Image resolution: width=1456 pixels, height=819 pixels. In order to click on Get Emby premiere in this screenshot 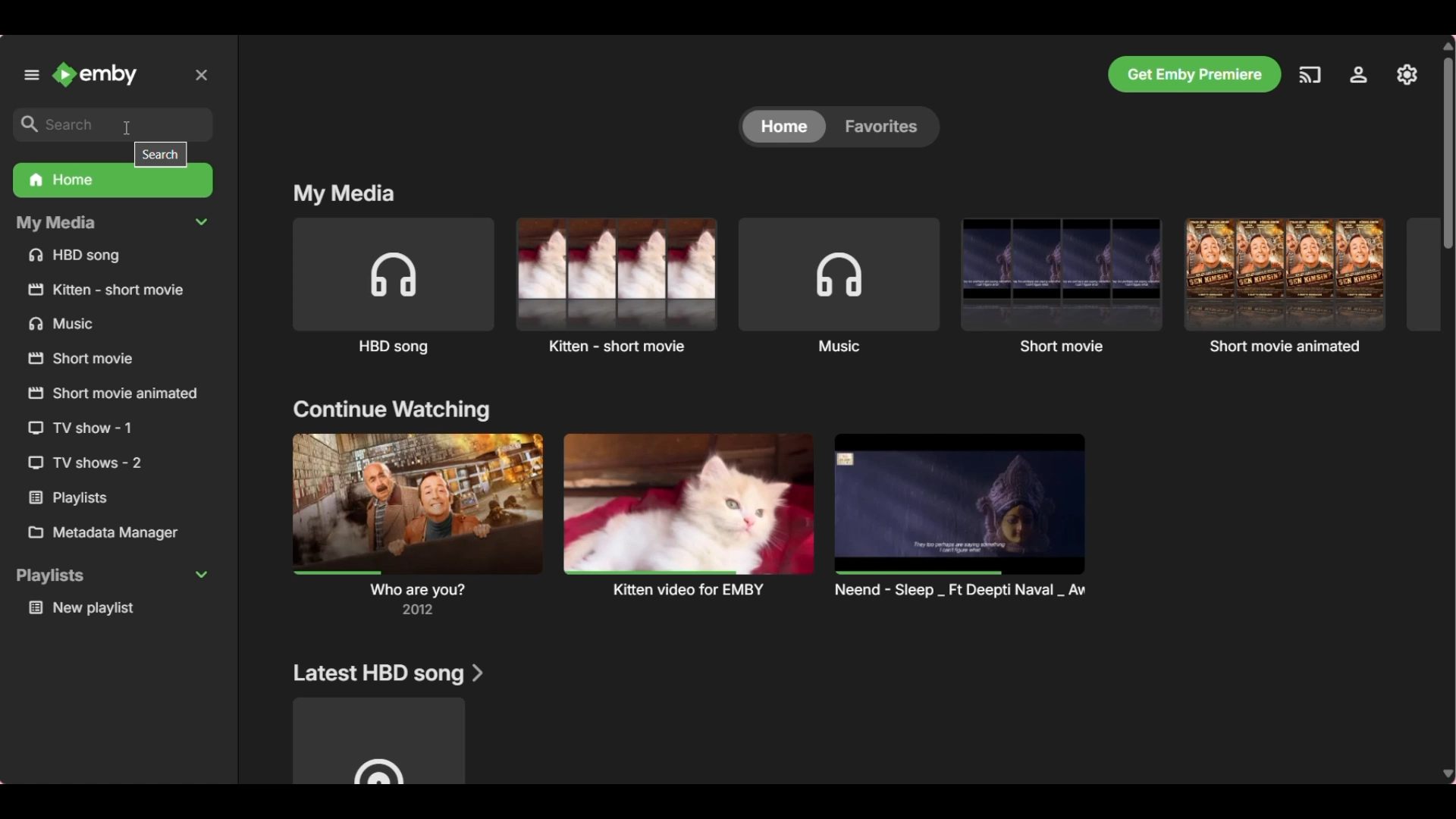, I will do `click(1194, 74)`.